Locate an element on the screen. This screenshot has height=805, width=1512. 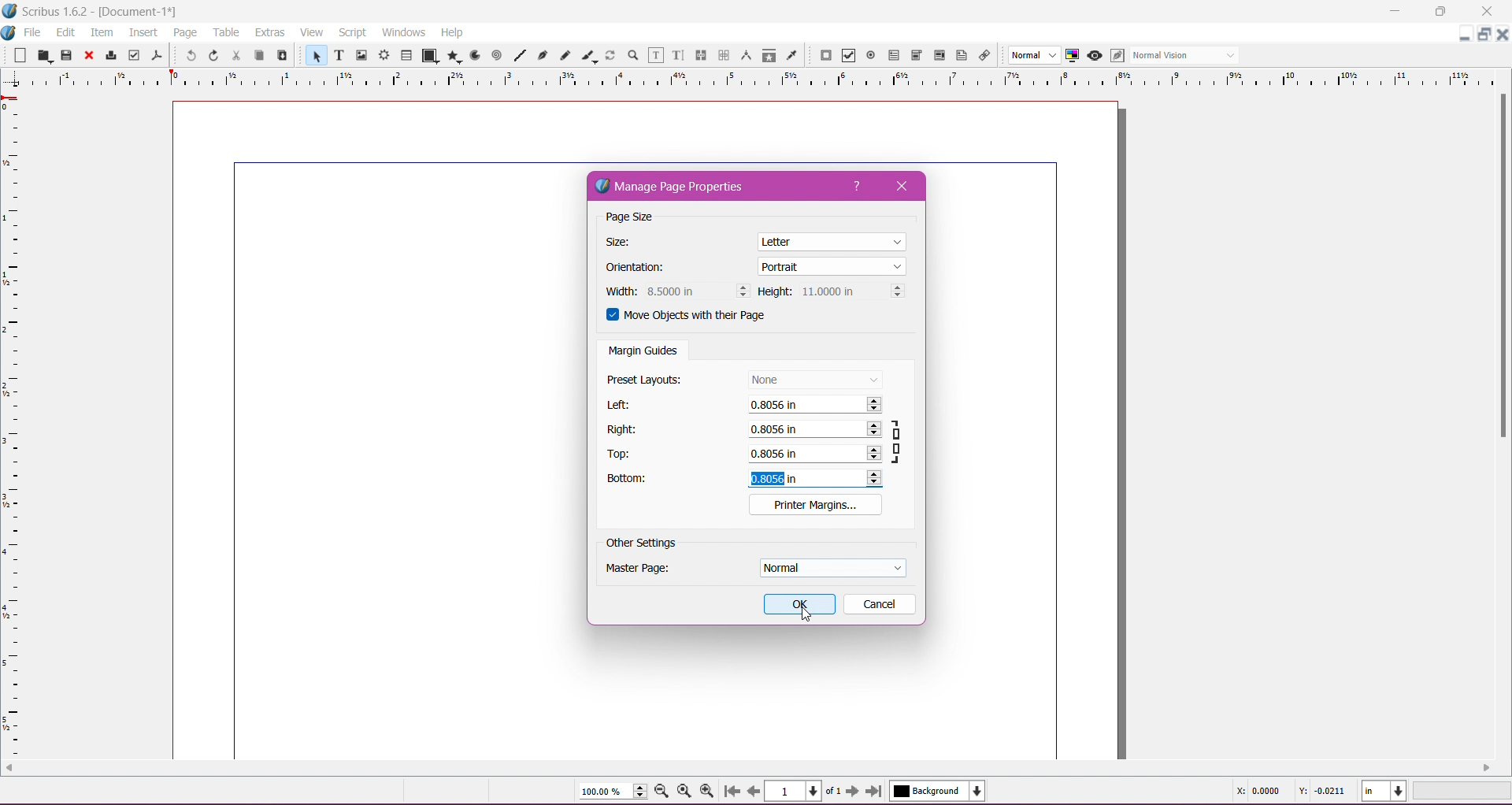
Set Page Size is located at coordinates (833, 240).